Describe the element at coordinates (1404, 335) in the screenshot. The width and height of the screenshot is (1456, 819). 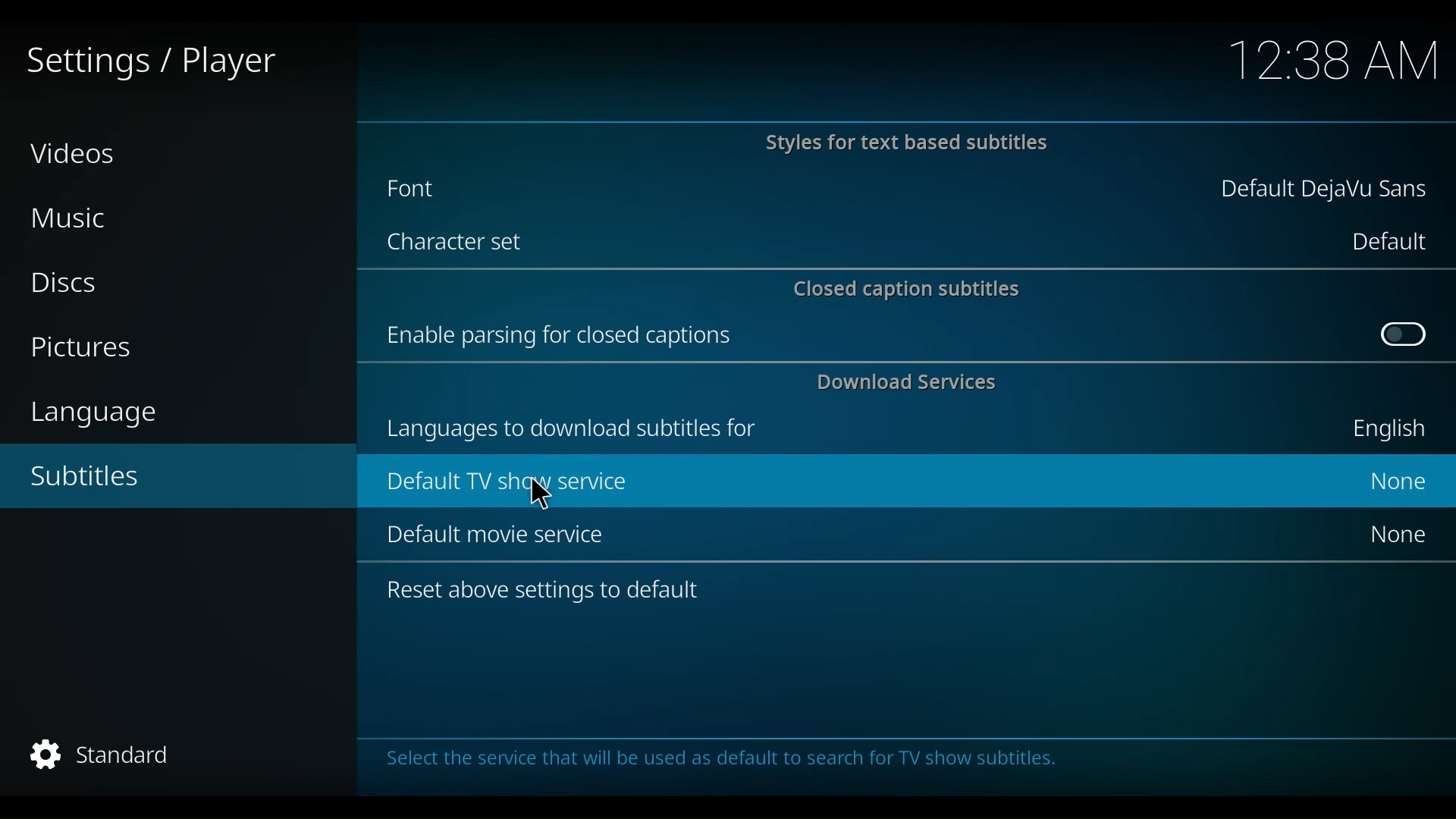
I see `Toggle on/off` at that location.